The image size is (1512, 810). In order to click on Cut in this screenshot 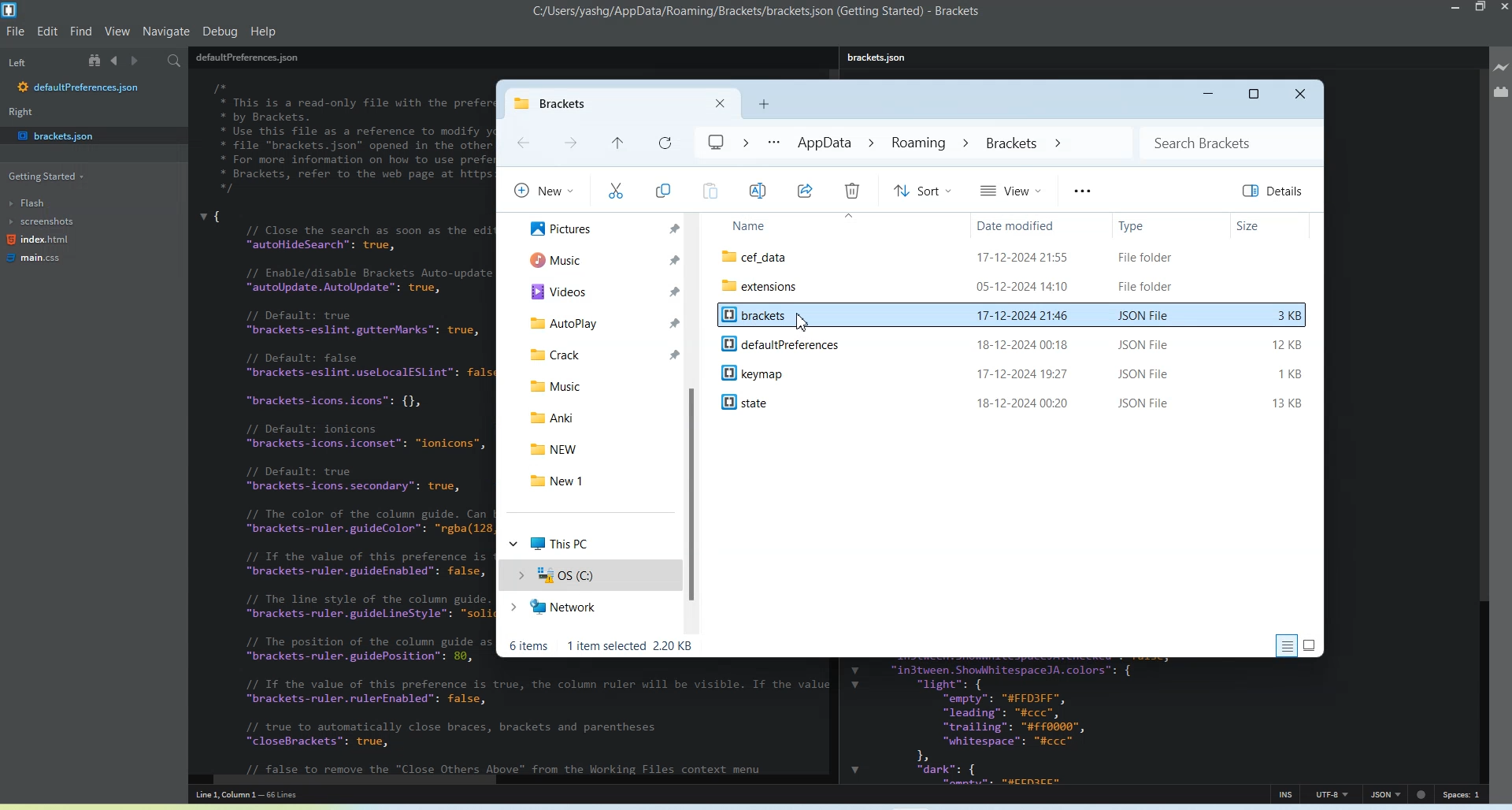, I will do `click(615, 191)`.